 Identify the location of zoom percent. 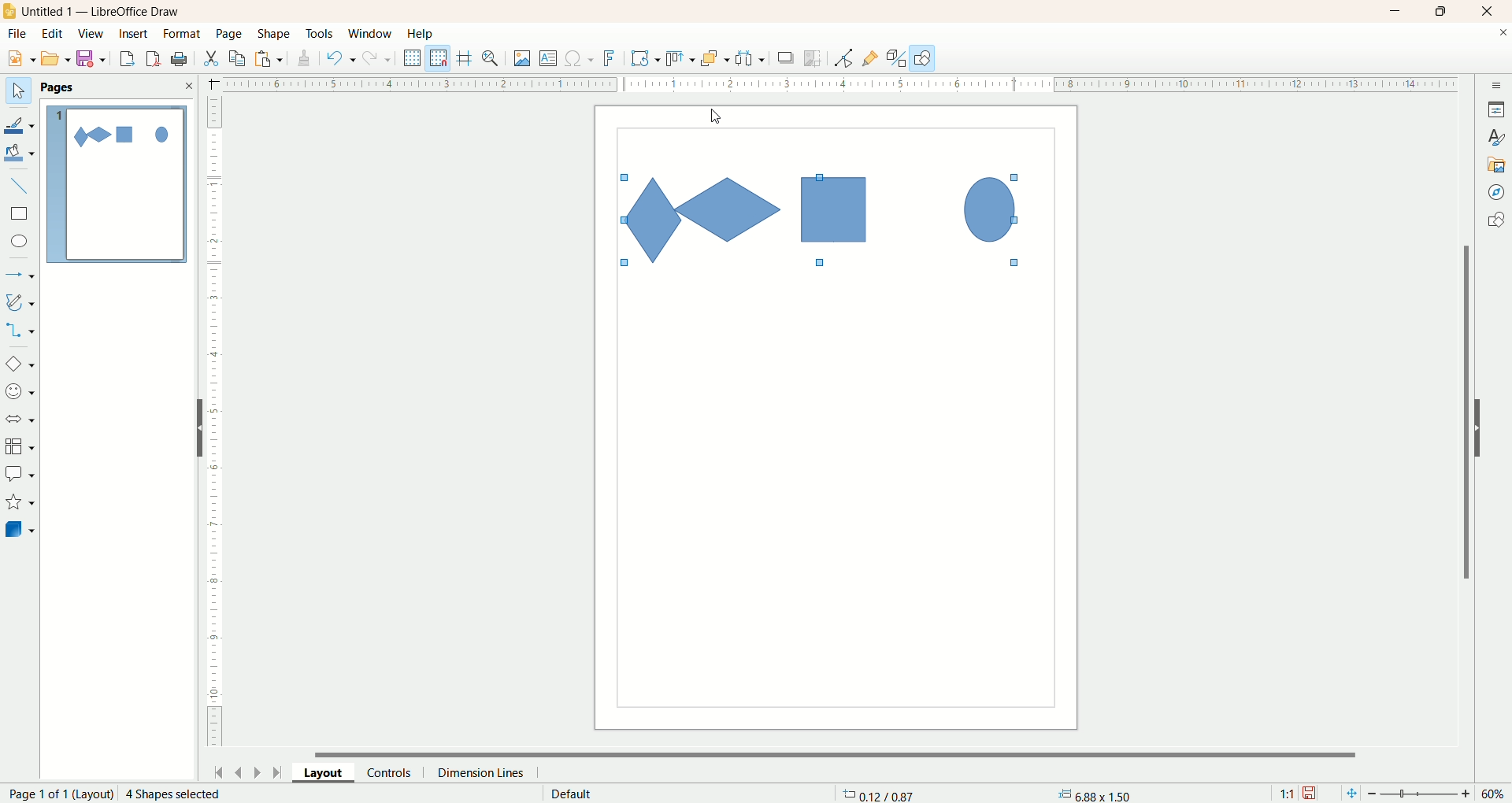
(1495, 794).